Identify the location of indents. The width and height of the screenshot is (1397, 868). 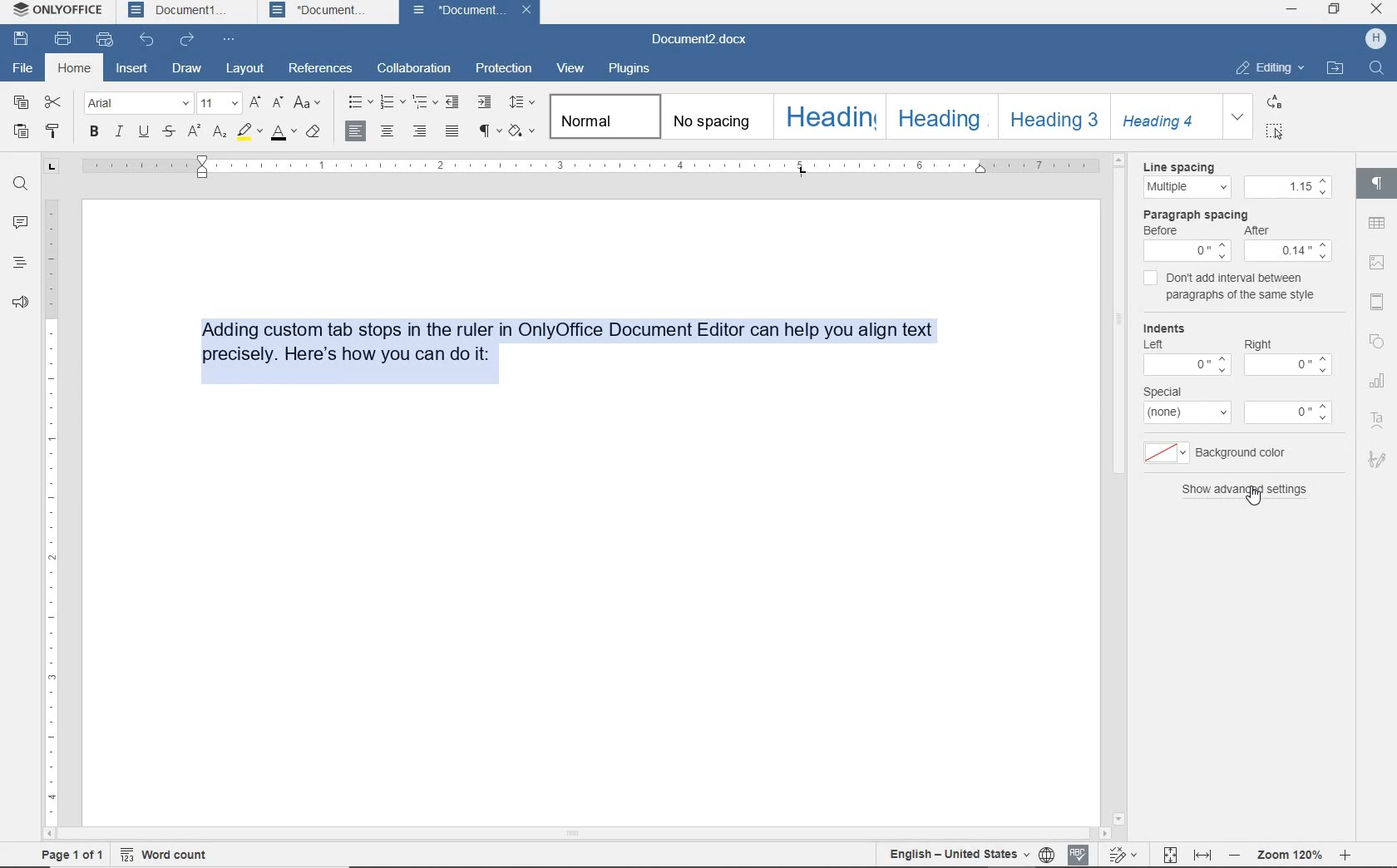
(1167, 326).